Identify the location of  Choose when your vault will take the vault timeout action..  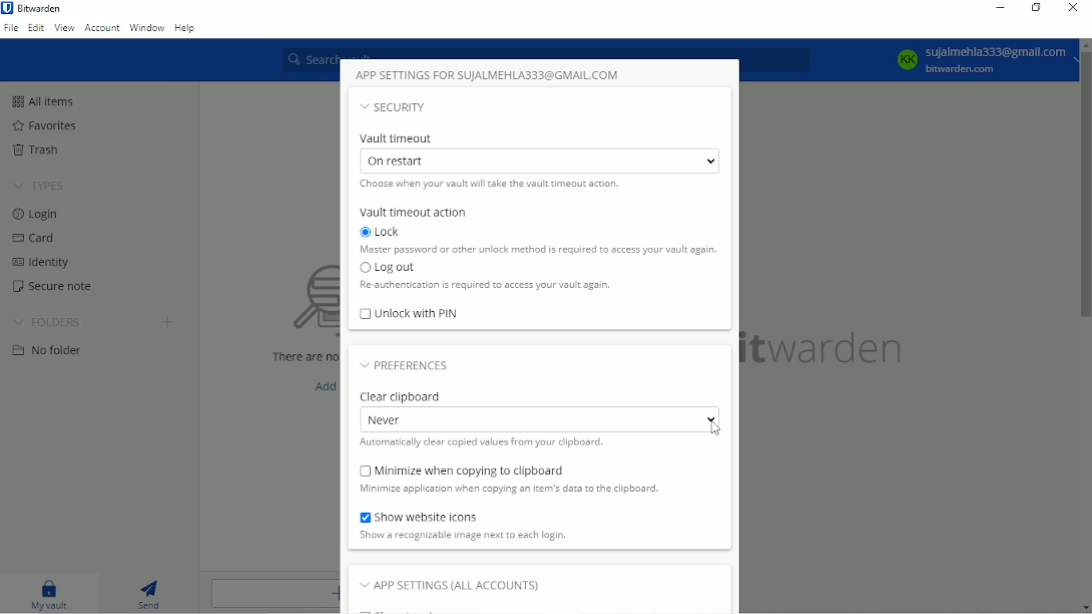
(487, 184).